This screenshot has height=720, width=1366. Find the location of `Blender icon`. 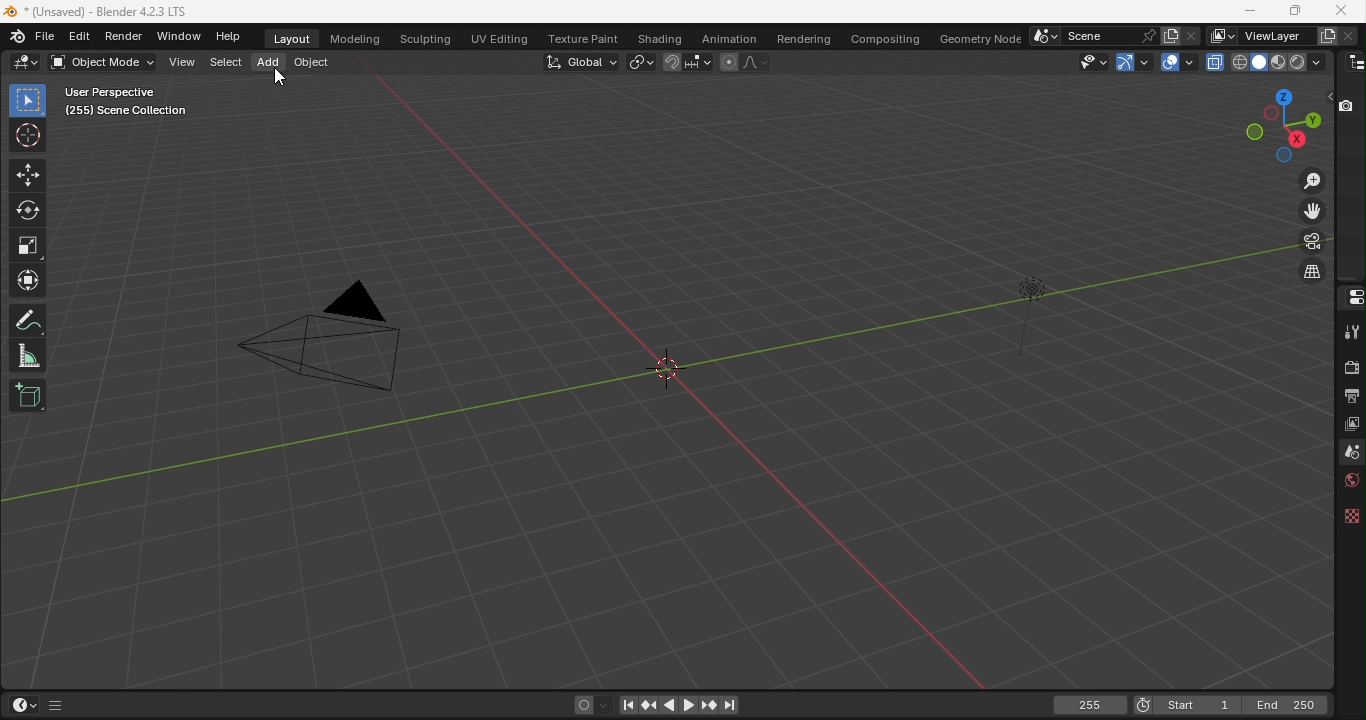

Blender icon is located at coordinates (18, 36).